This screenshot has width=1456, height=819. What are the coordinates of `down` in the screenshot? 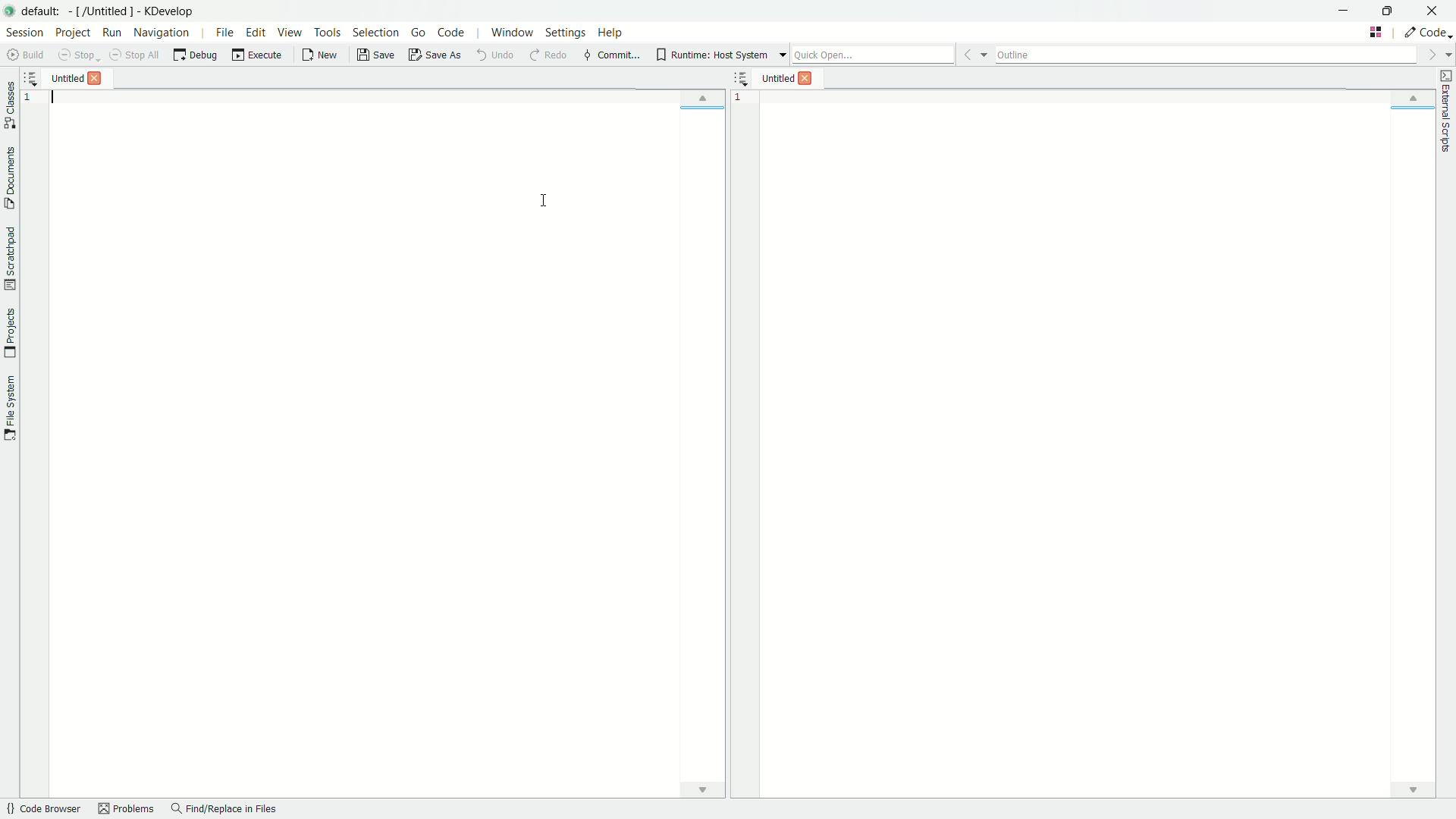 It's located at (1415, 786).